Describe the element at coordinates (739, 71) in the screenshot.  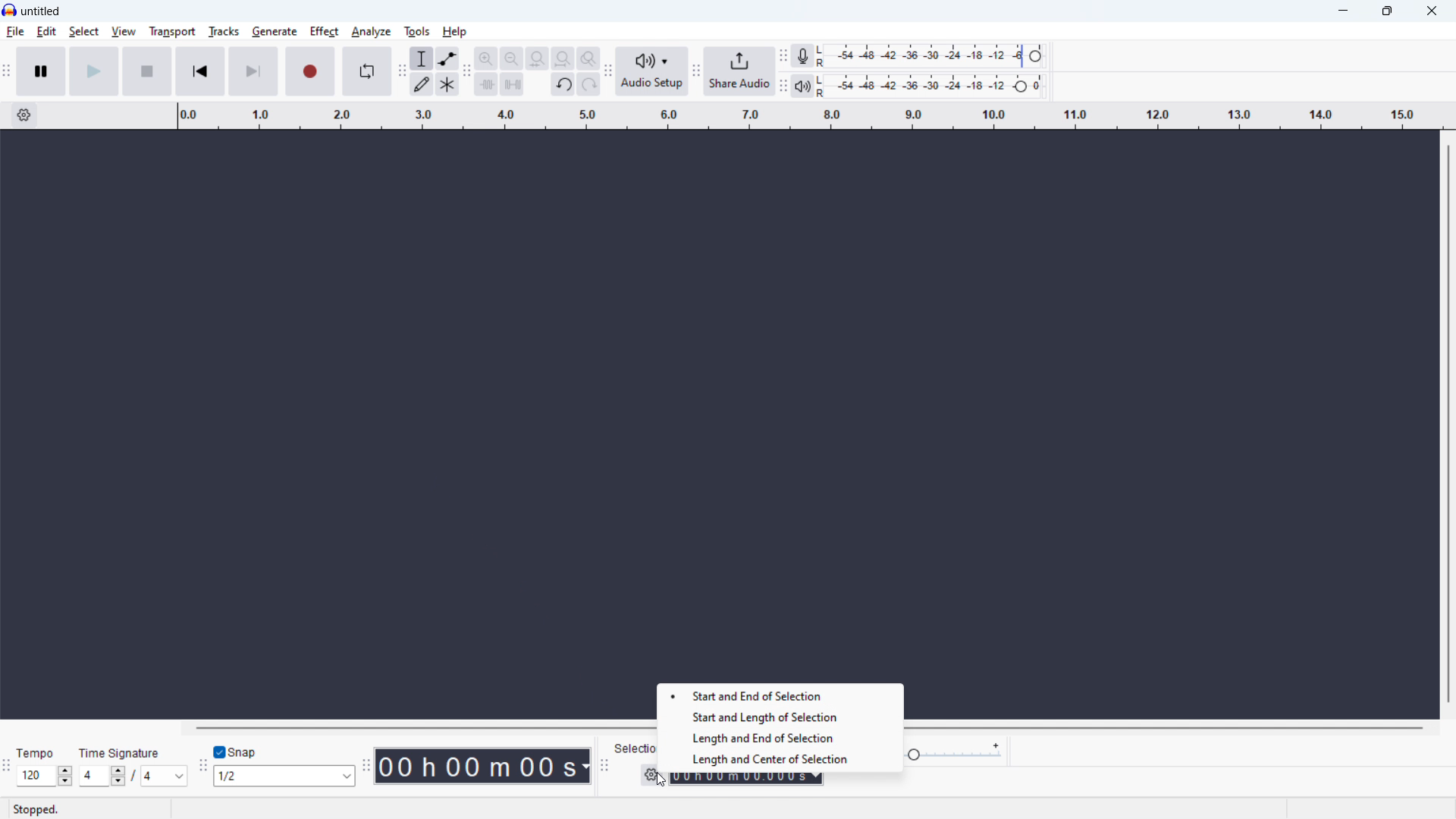
I see `share audio` at that location.